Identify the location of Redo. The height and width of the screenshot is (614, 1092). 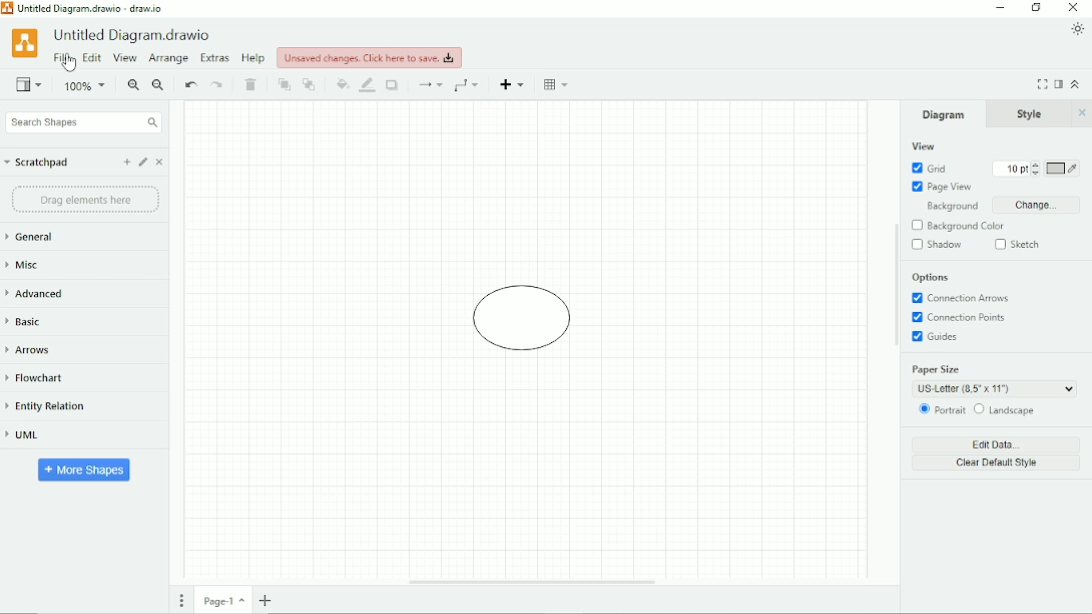
(218, 85).